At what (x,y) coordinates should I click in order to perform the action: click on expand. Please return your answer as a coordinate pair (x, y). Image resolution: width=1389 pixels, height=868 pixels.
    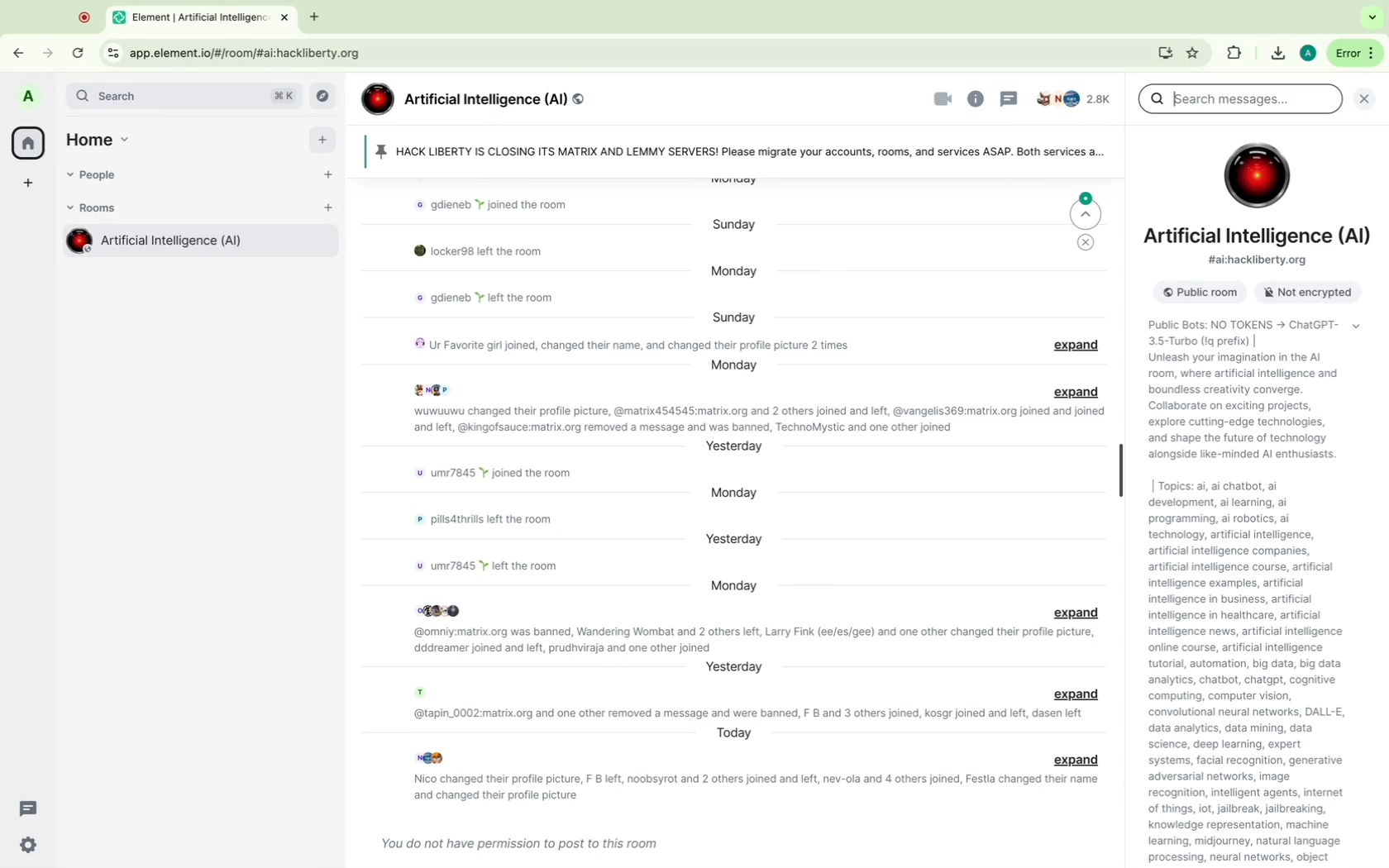
    Looking at the image, I should click on (1074, 612).